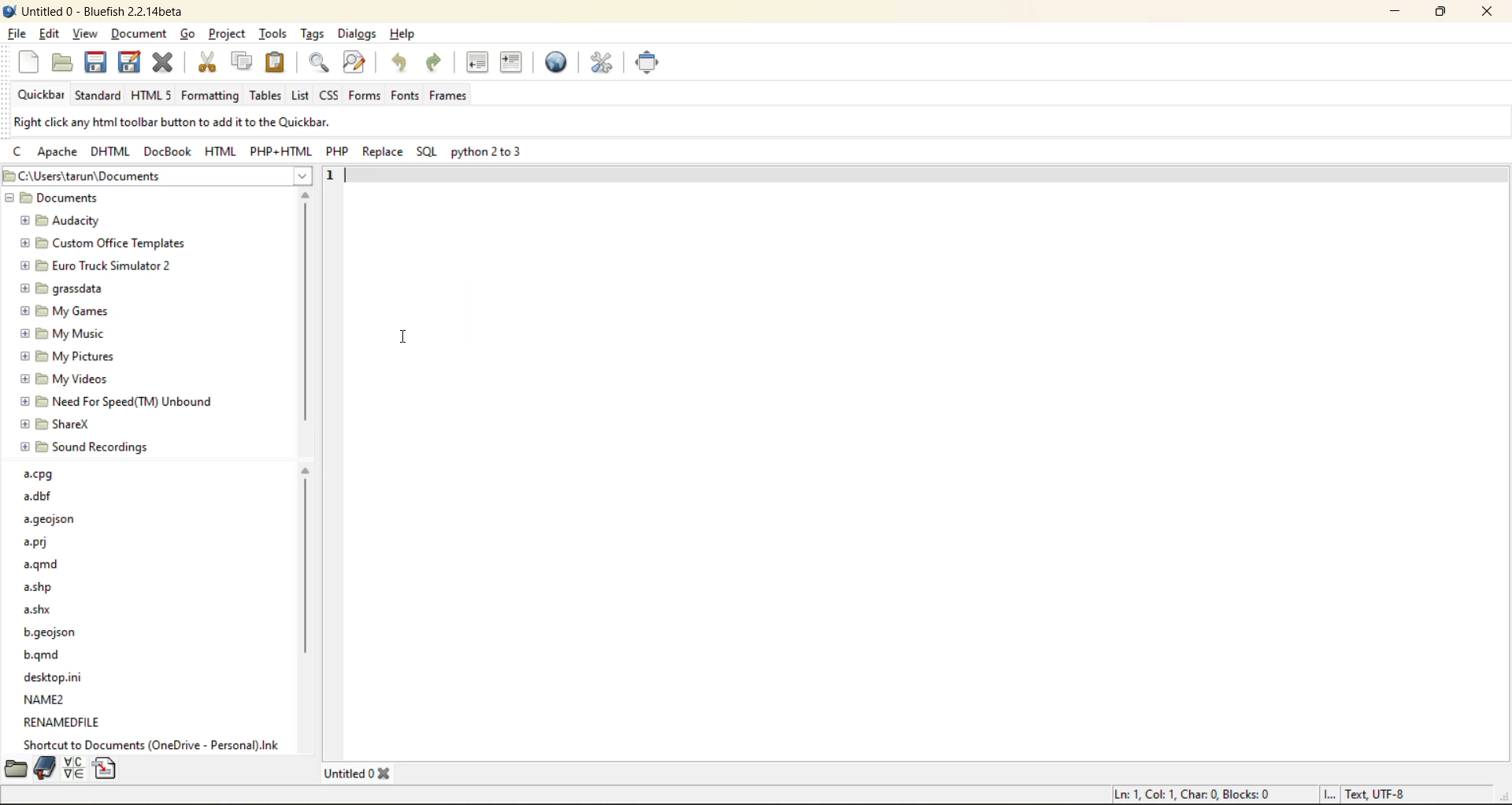 The height and width of the screenshot is (805, 1512). I want to click on list, so click(298, 96).